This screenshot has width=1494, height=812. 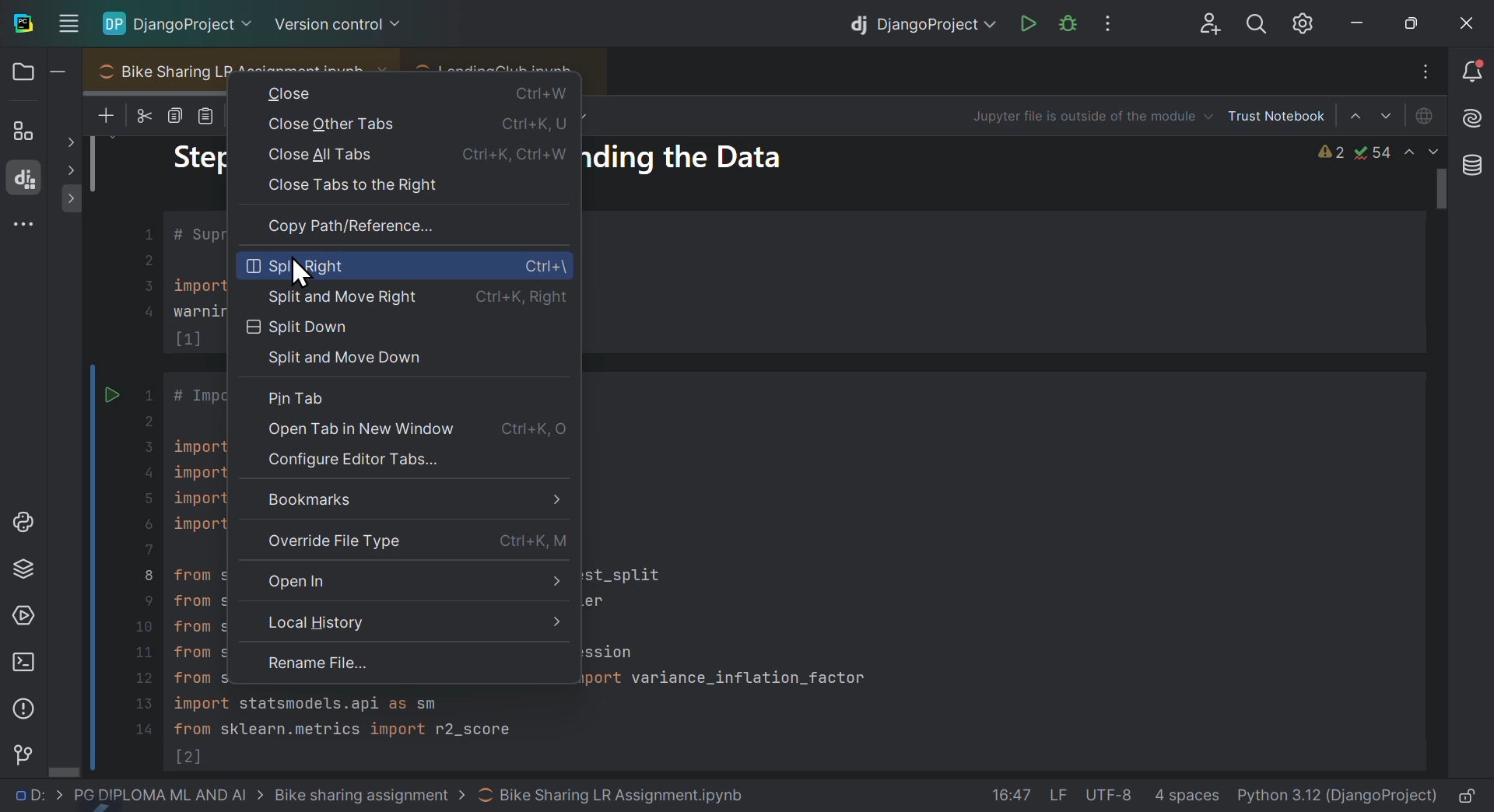 I want to click on Database, so click(x=1471, y=170).